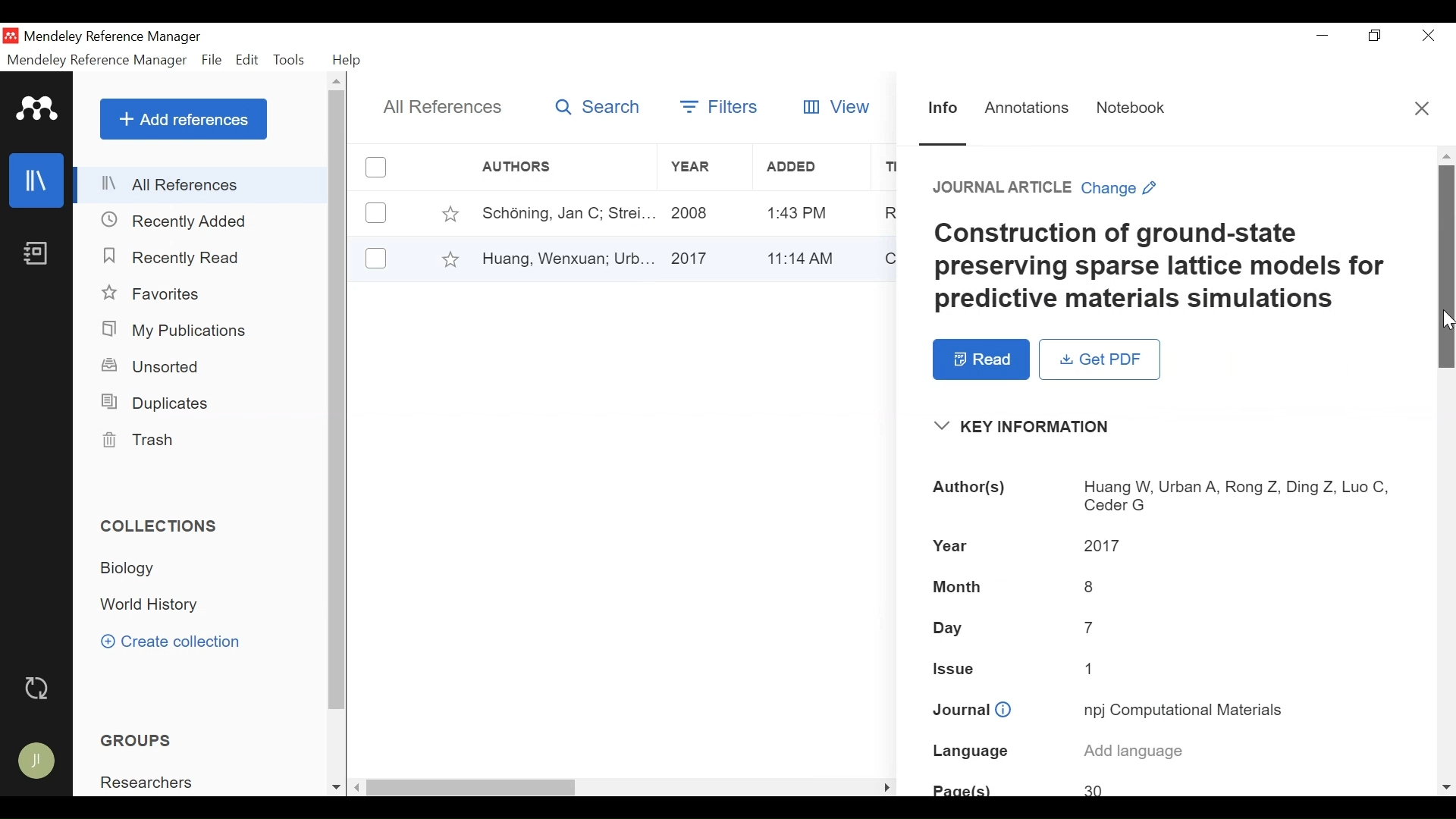 The width and height of the screenshot is (1456, 819). I want to click on Search, so click(598, 107).